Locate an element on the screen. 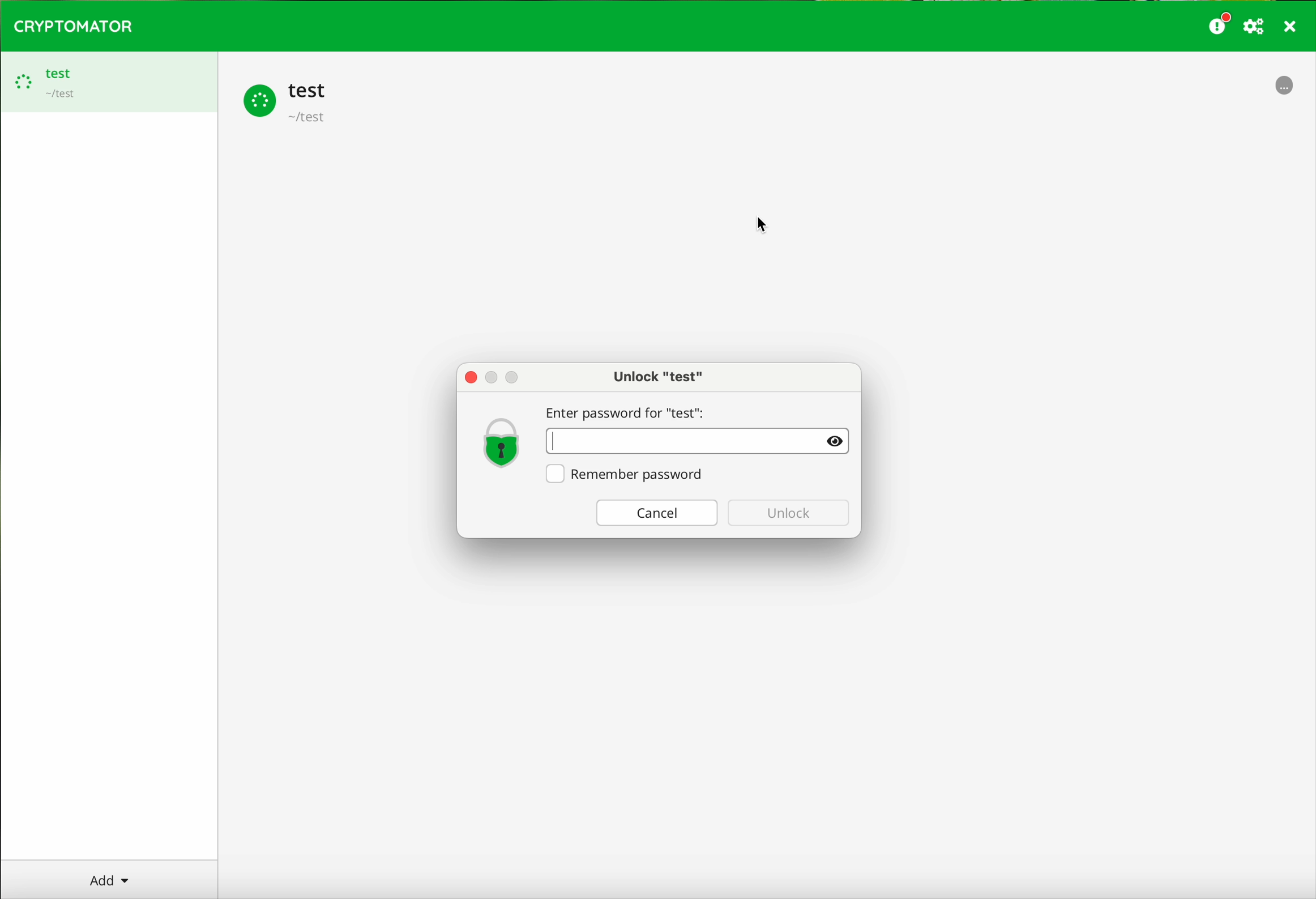  Cancel is located at coordinates (652, 513).